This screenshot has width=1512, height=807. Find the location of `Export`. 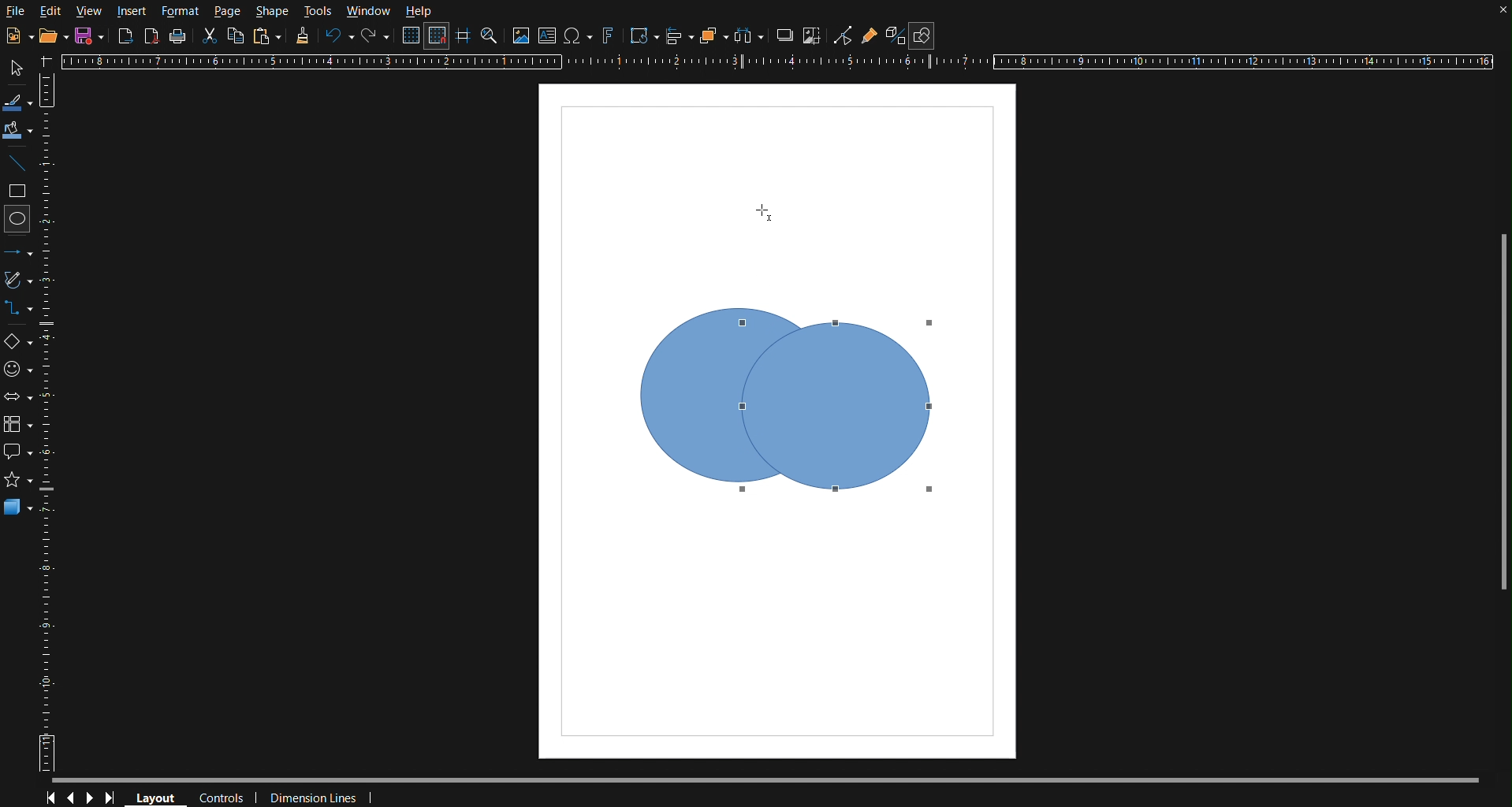

Export is located at coordinates (125, 36).